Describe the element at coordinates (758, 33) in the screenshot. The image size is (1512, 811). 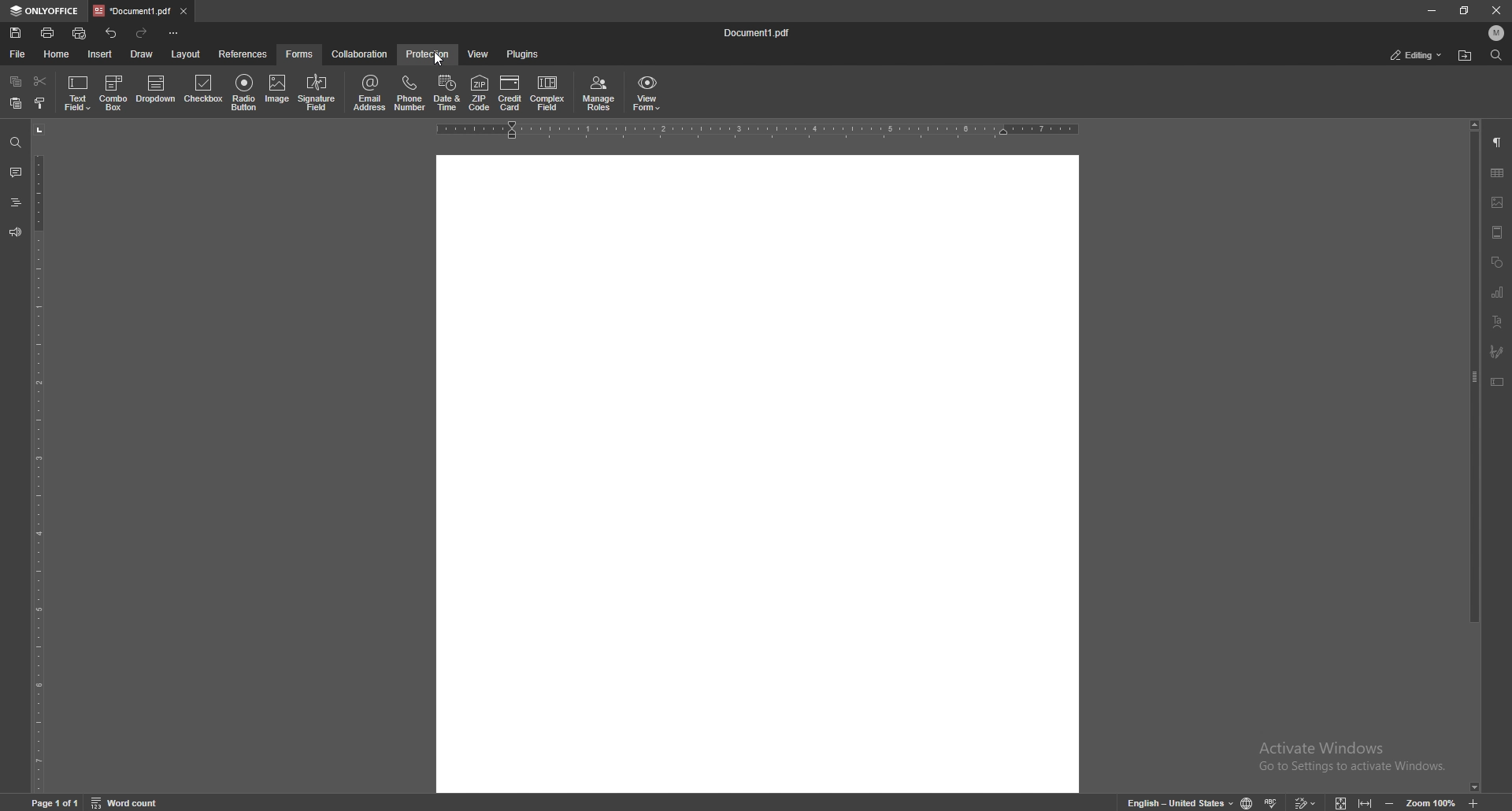
I see `file name` at that location.